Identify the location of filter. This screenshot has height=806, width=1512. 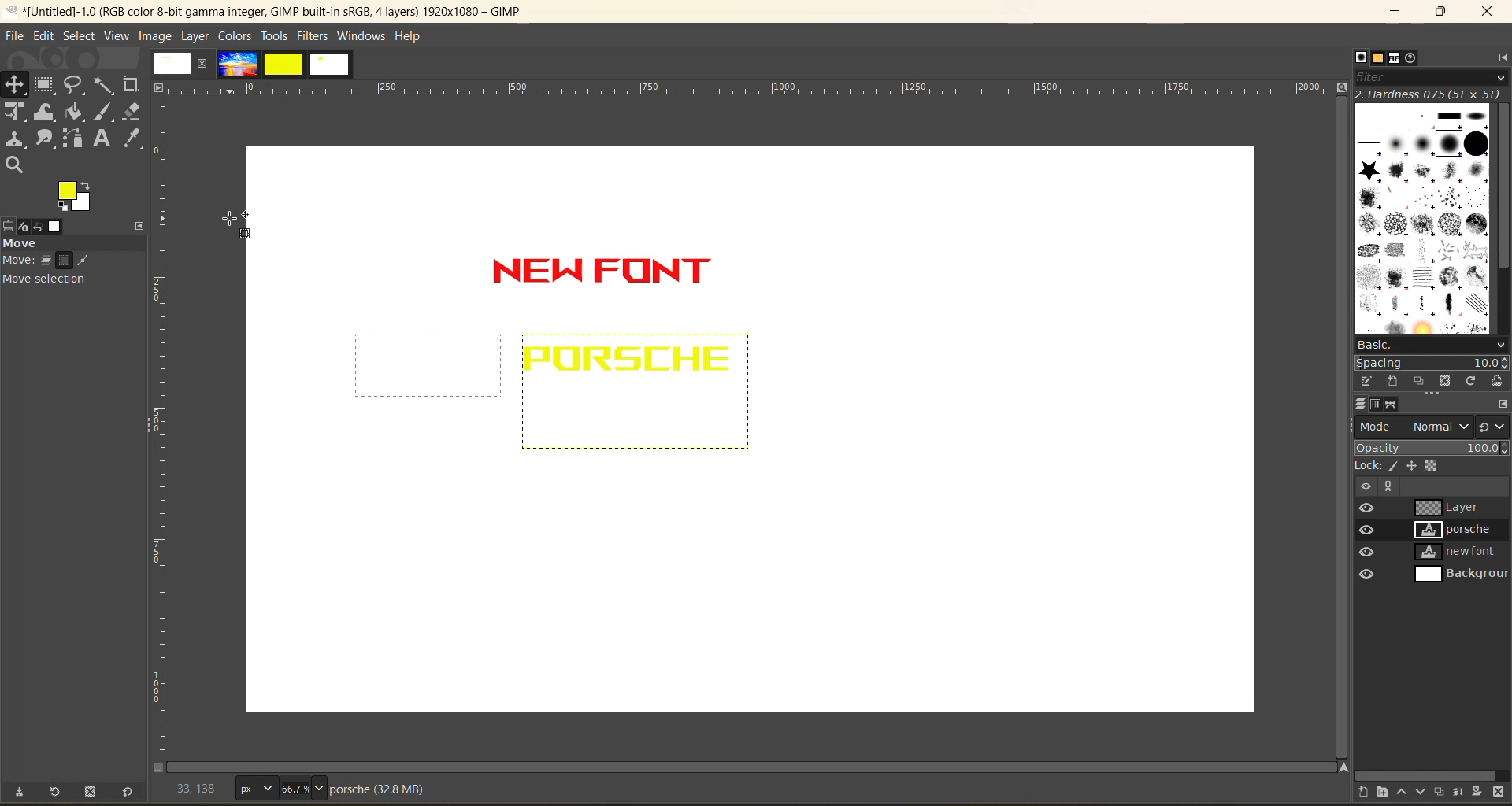
(1431, 76).